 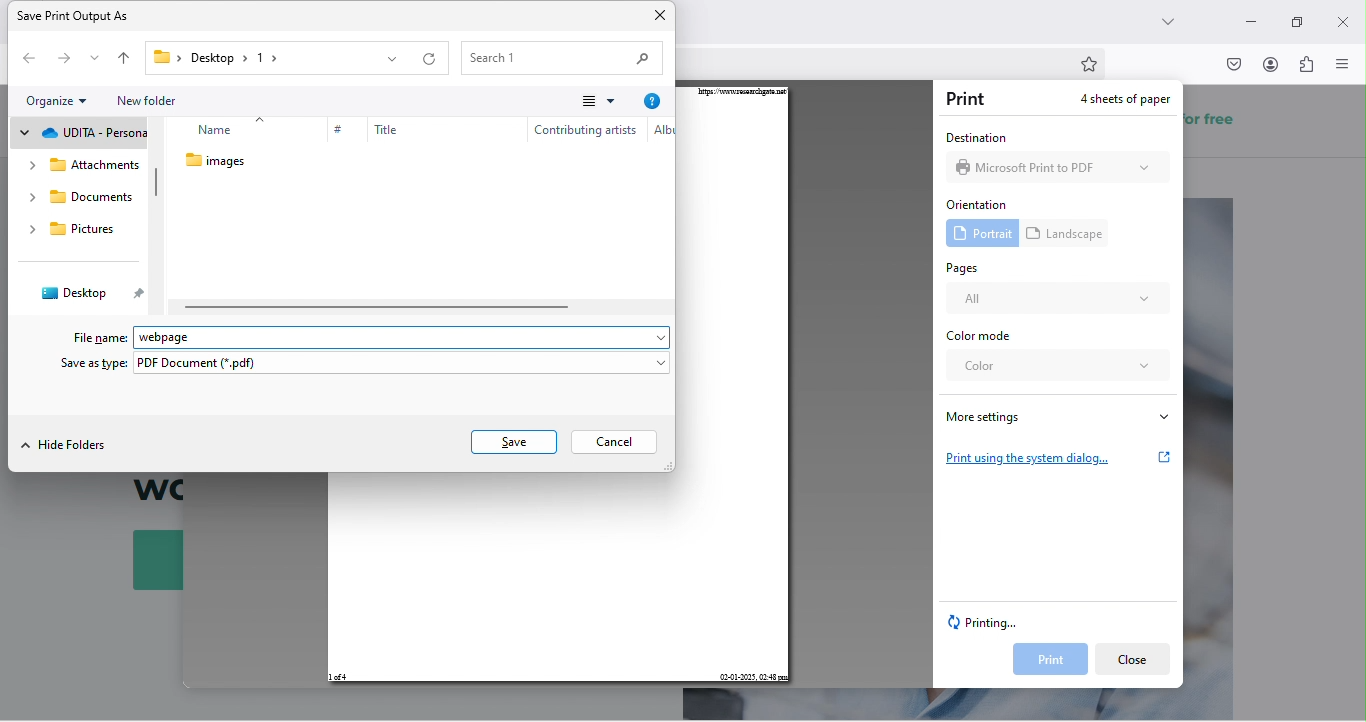 What do you see at coordinates (1093, 64) in the screenshot?
I see `bookmark` at bounding box center [1093, 64].